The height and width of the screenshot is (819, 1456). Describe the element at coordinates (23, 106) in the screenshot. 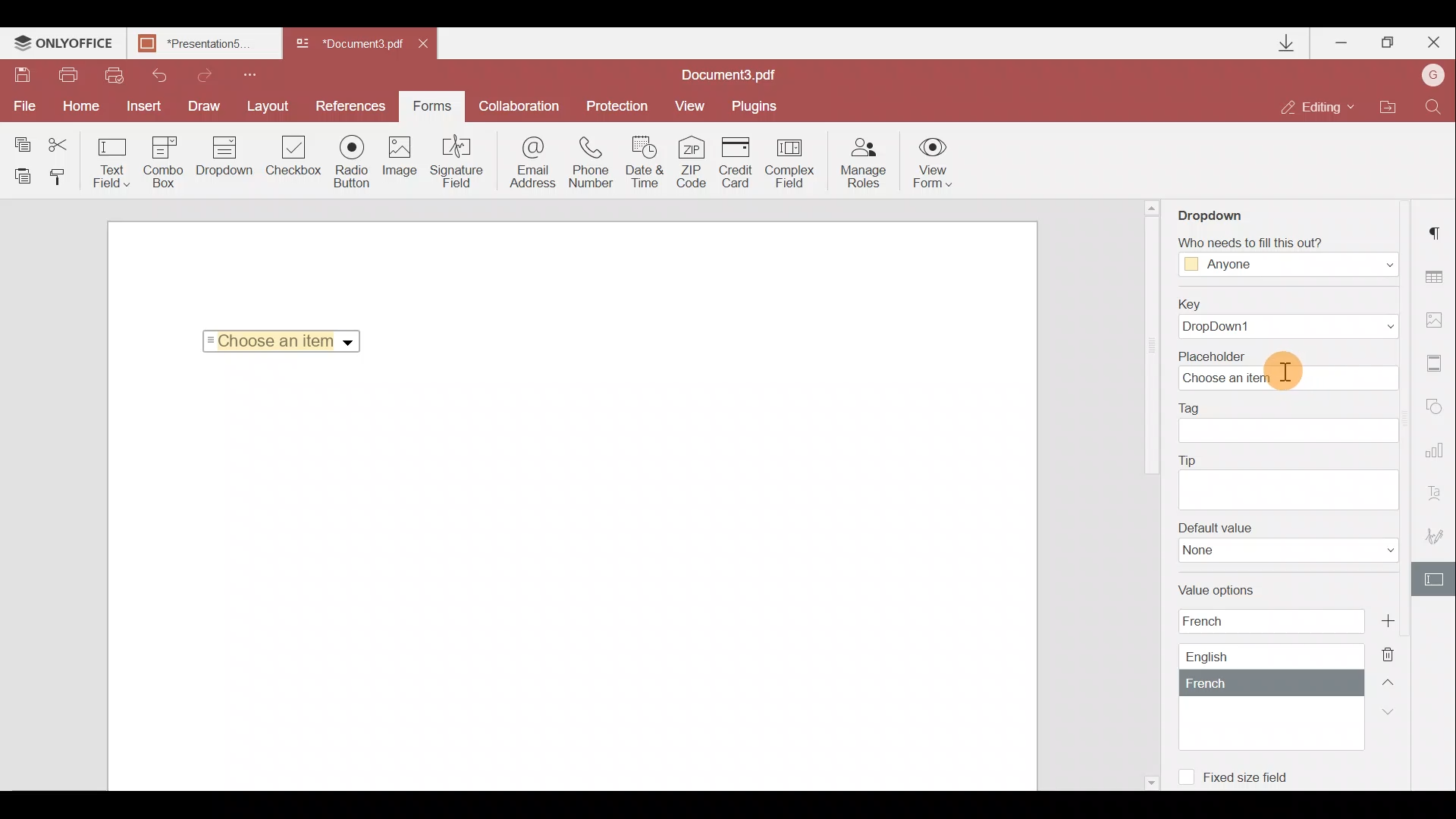

I see `File` at that location.